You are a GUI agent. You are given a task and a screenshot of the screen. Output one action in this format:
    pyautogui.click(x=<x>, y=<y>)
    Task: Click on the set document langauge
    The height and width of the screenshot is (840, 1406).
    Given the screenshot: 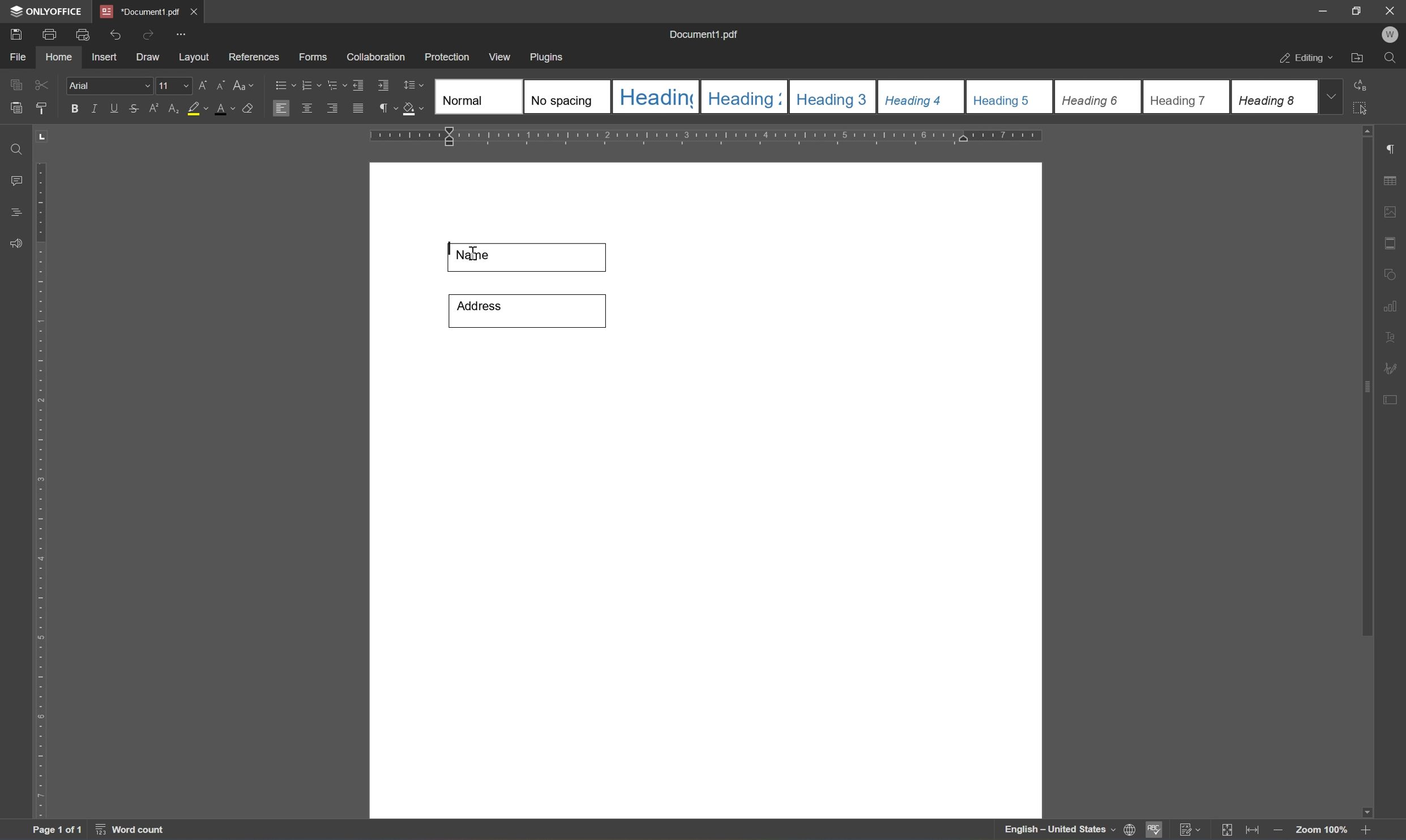 What is the action you would take?
    pyautogui.click(x=1130, y=830)
    